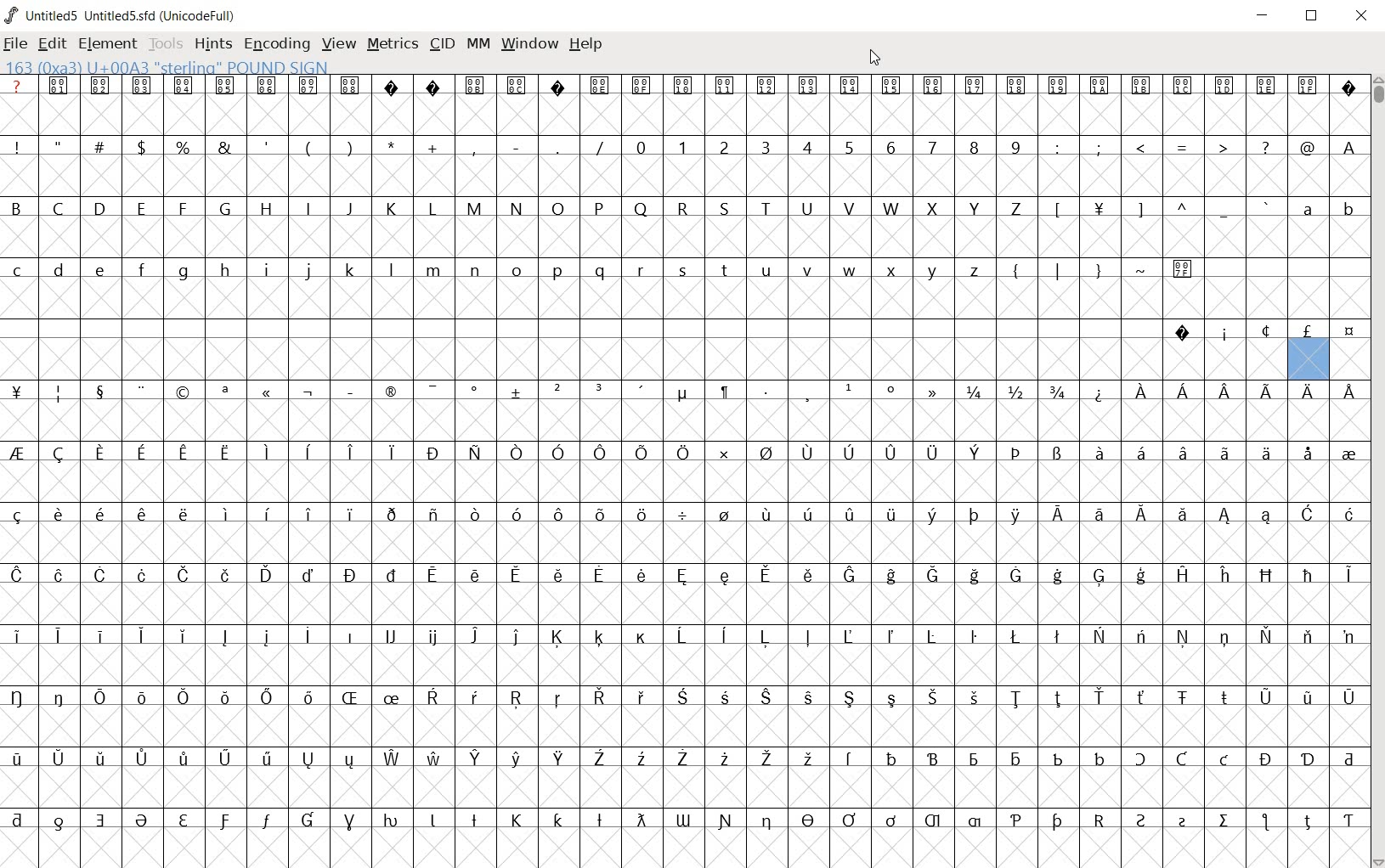 The width and height of the screenshot is (1385, 868). Describe the element at coordinates (975, 821) in the screenshot. I see `Symbol` at that location.